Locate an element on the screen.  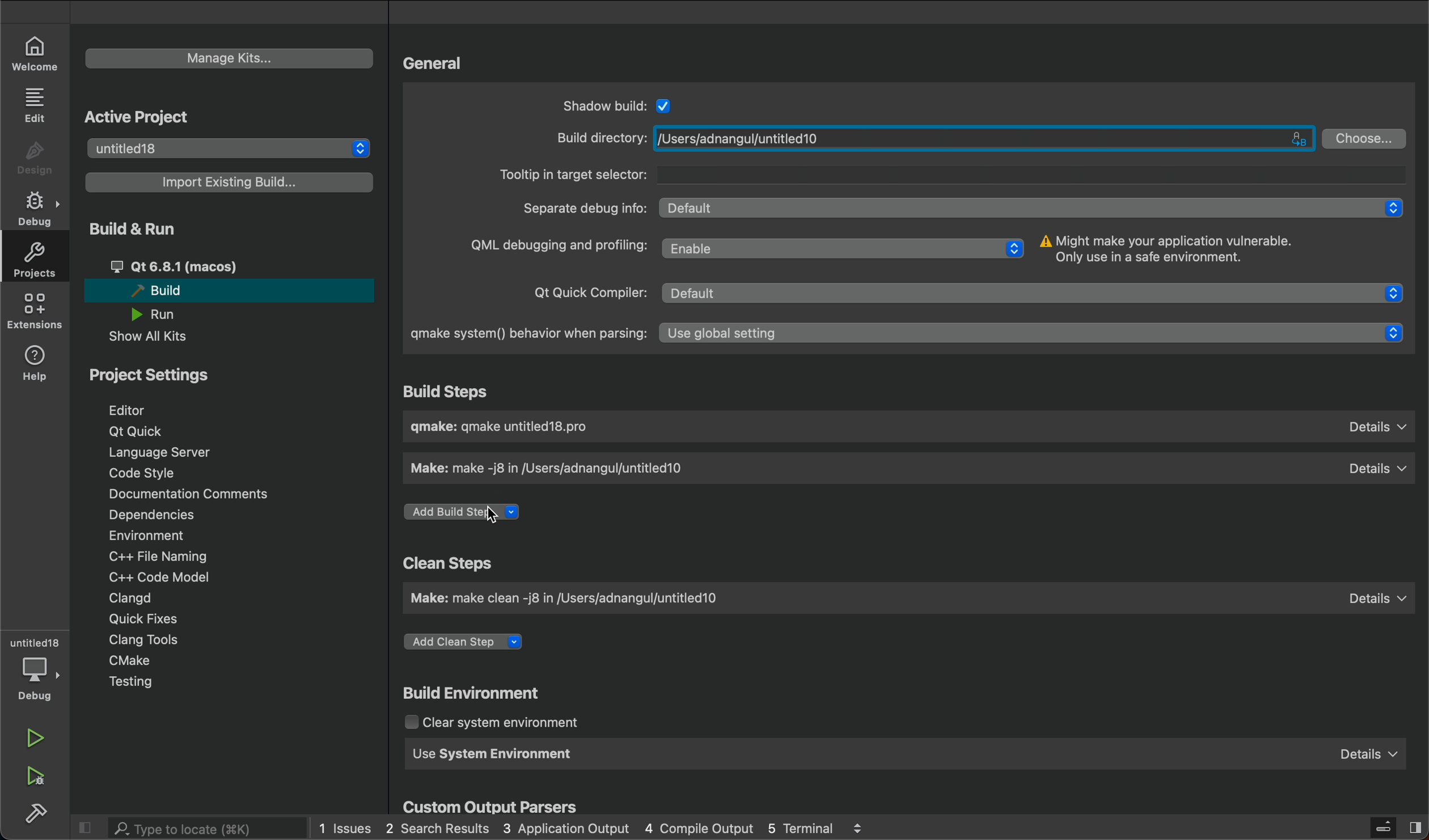
Clangd is located at coordinates (134, 599).